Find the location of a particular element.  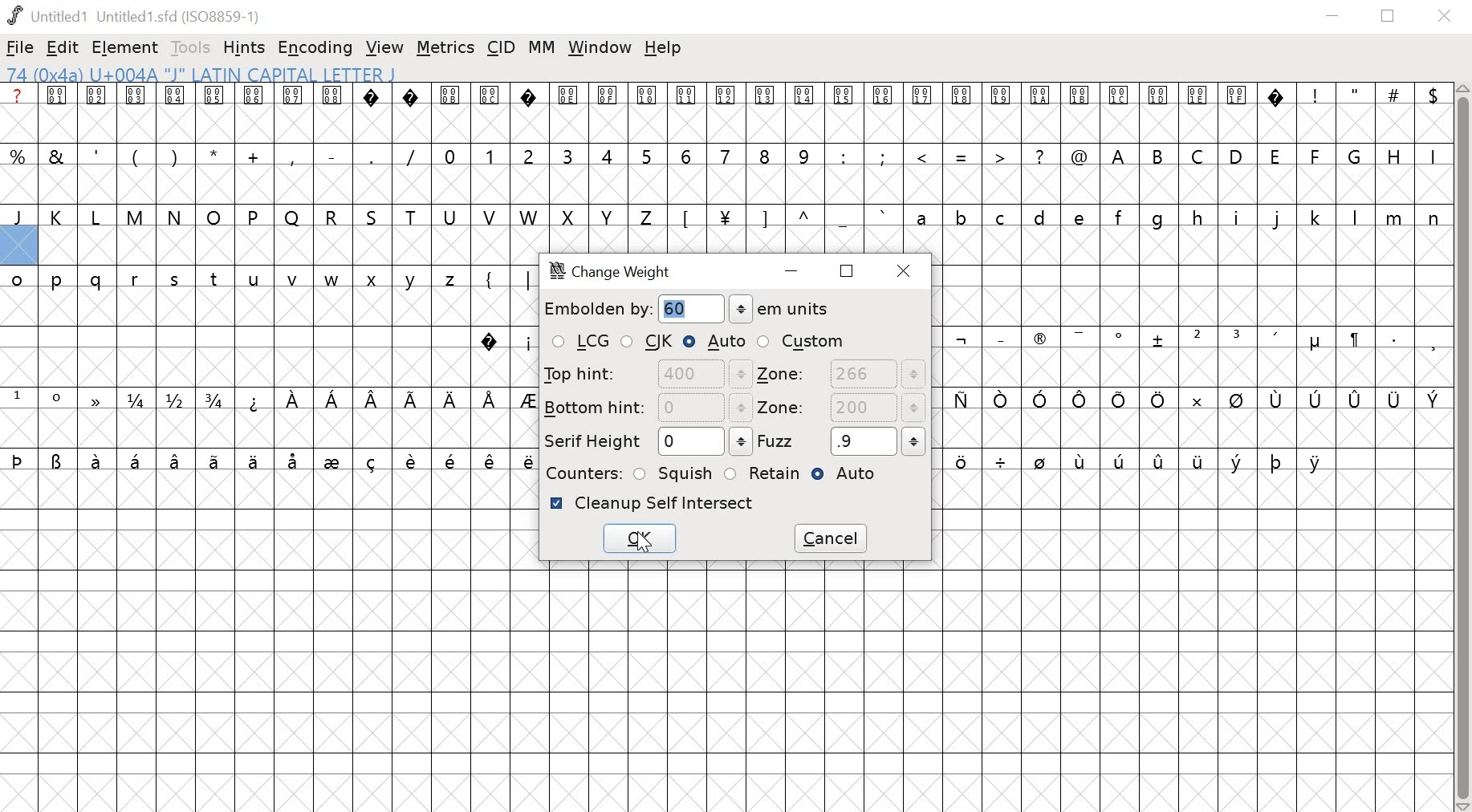

CLEANUP self intersect is located at coordinates (653, 503).